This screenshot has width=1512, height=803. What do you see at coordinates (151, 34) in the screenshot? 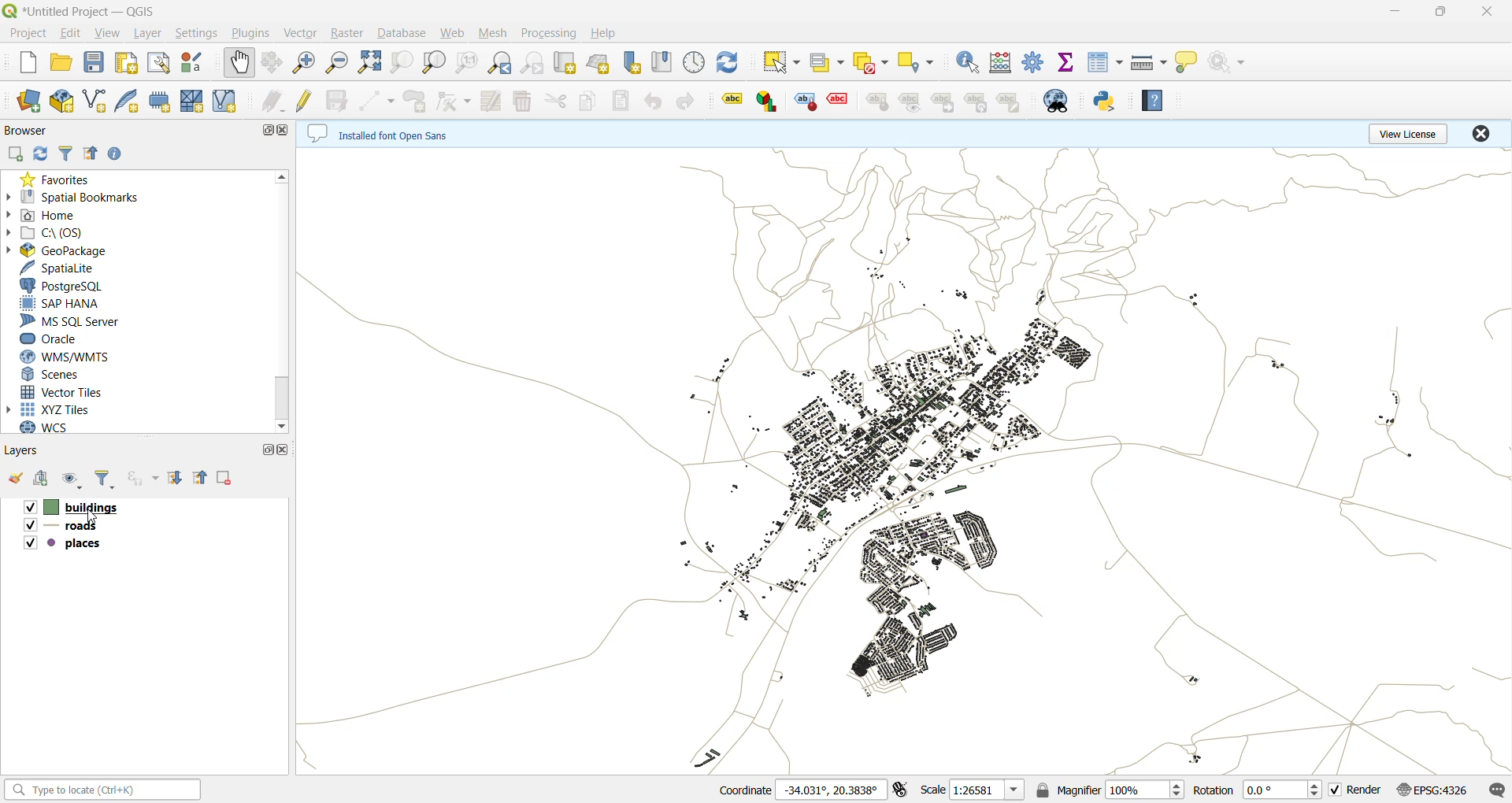
I see `layer` at bounding box center [151, 34].